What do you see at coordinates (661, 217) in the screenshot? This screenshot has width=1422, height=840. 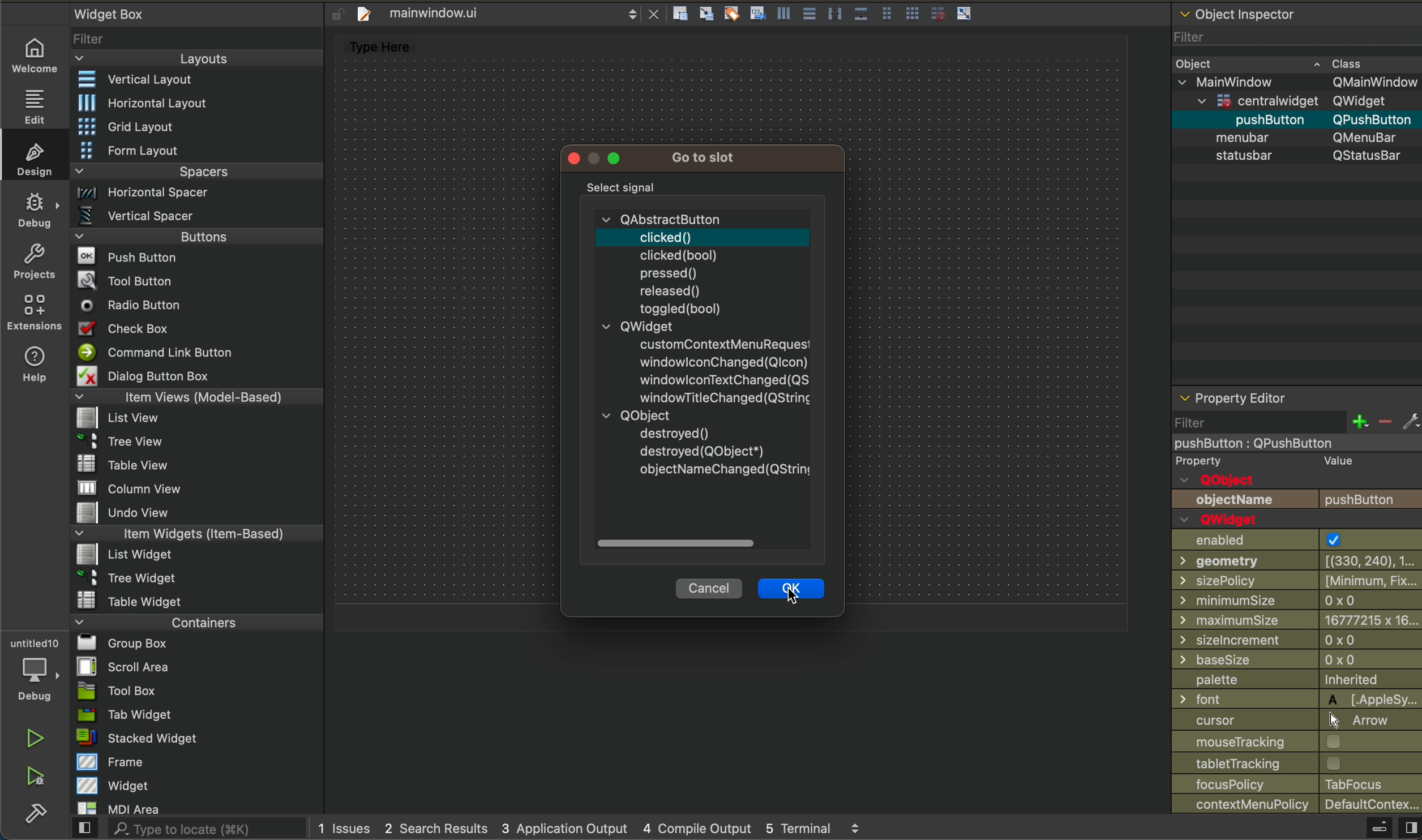 I see `QAbstractButton` at bounding box center [661, 217].